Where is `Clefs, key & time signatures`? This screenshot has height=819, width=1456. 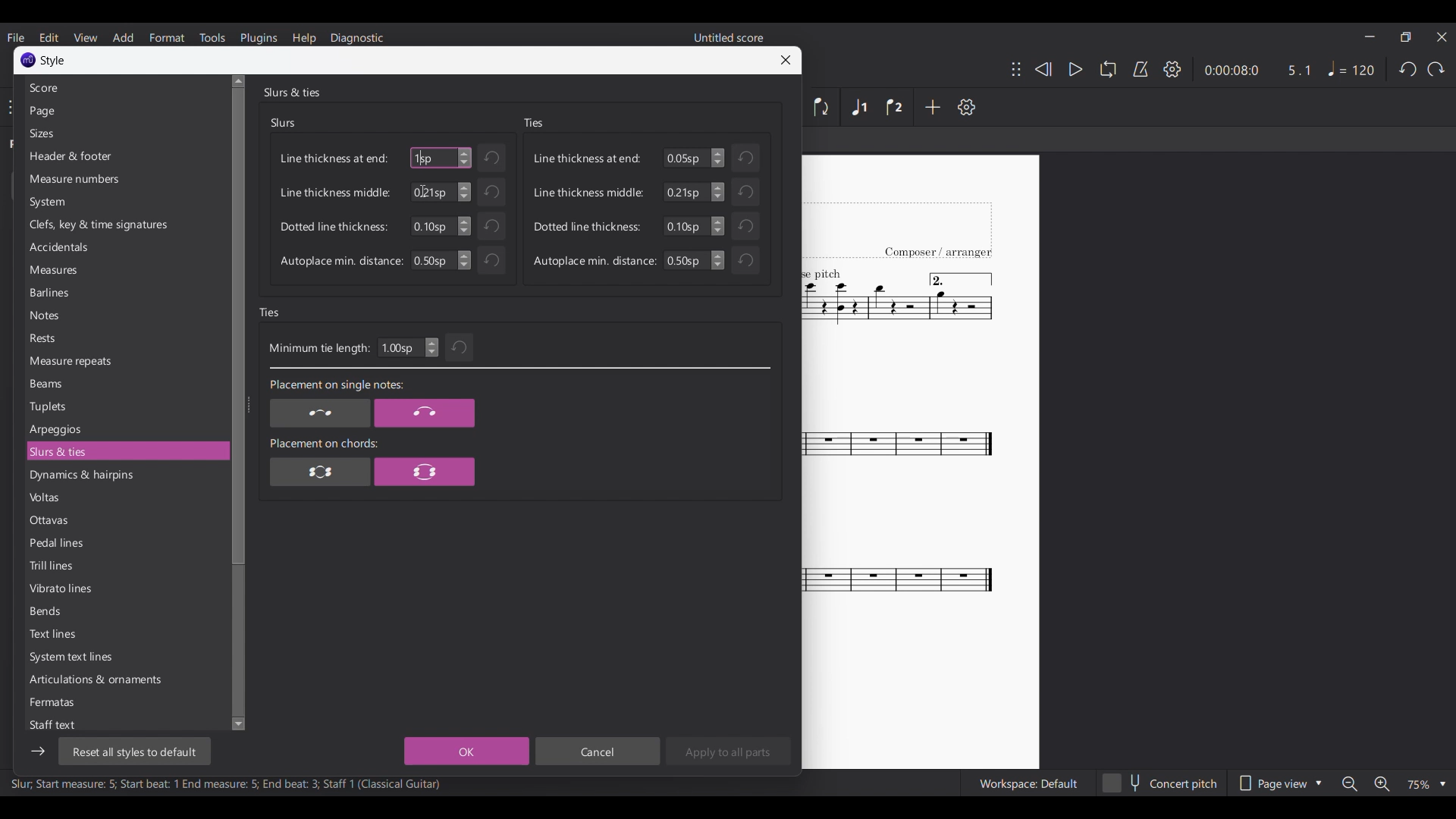 Clefs, key & time signatures is located at coordinates (125, 225).